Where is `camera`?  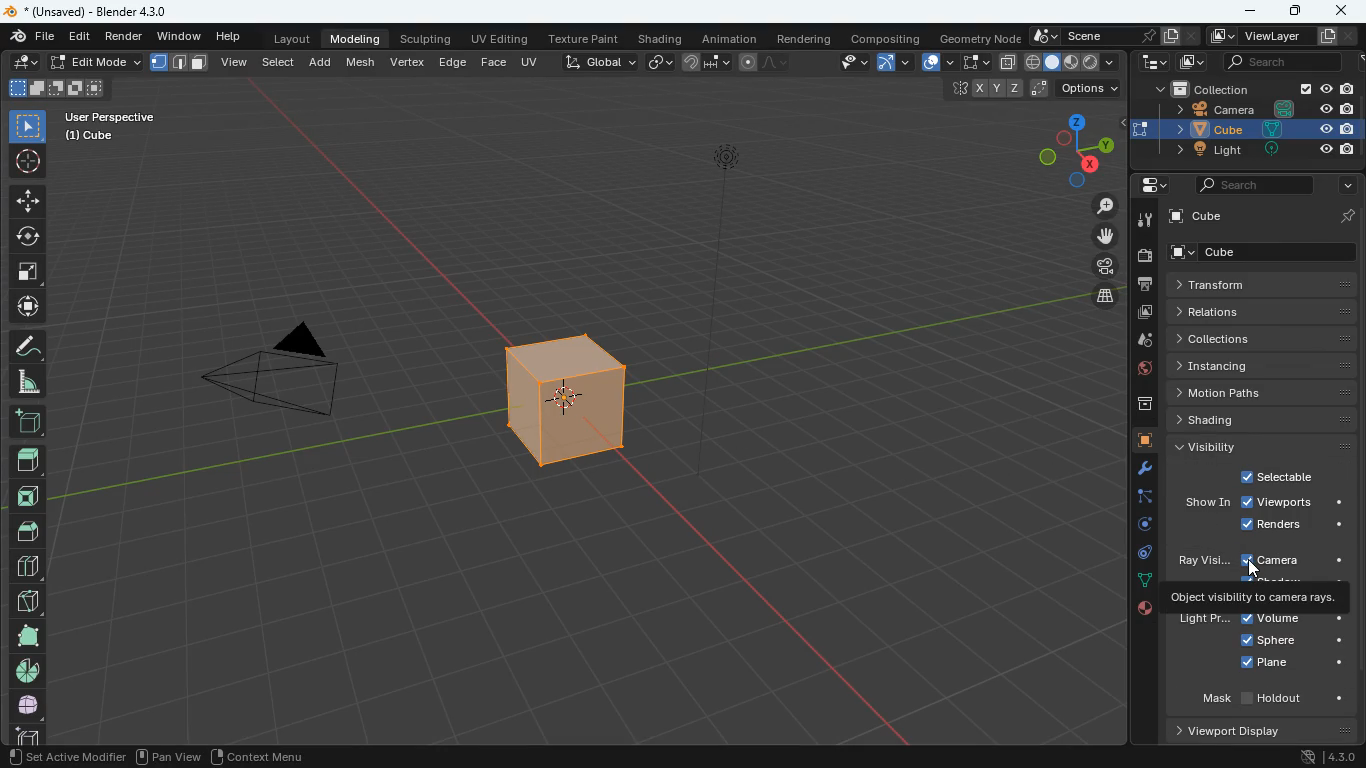 camera is located at coordinates (1294, 556).